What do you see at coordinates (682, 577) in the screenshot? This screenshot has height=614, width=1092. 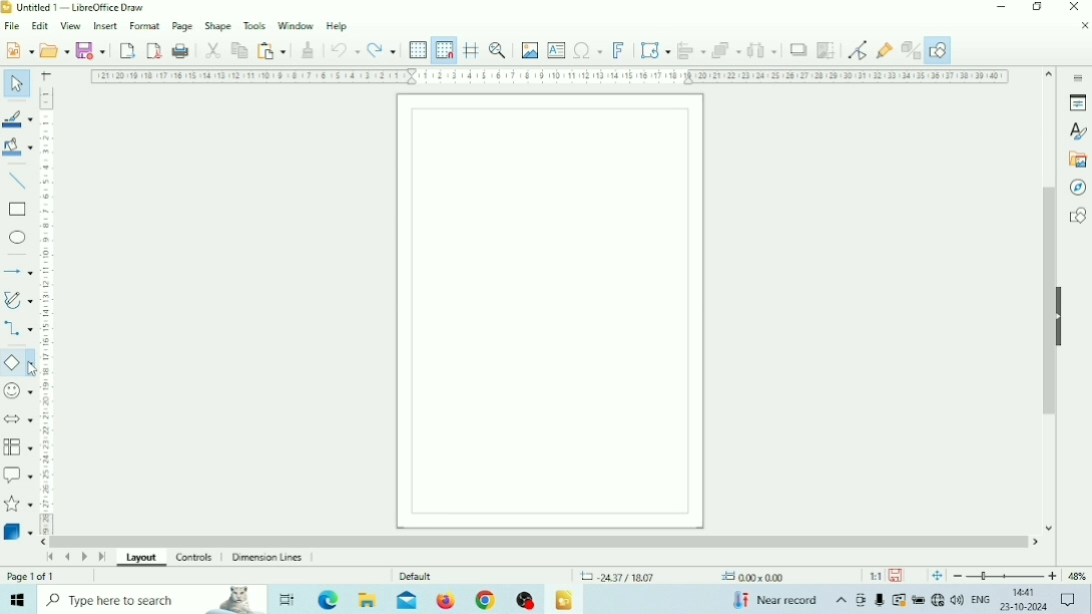 I see `Cursor positions` at bounding box center [682, 577].